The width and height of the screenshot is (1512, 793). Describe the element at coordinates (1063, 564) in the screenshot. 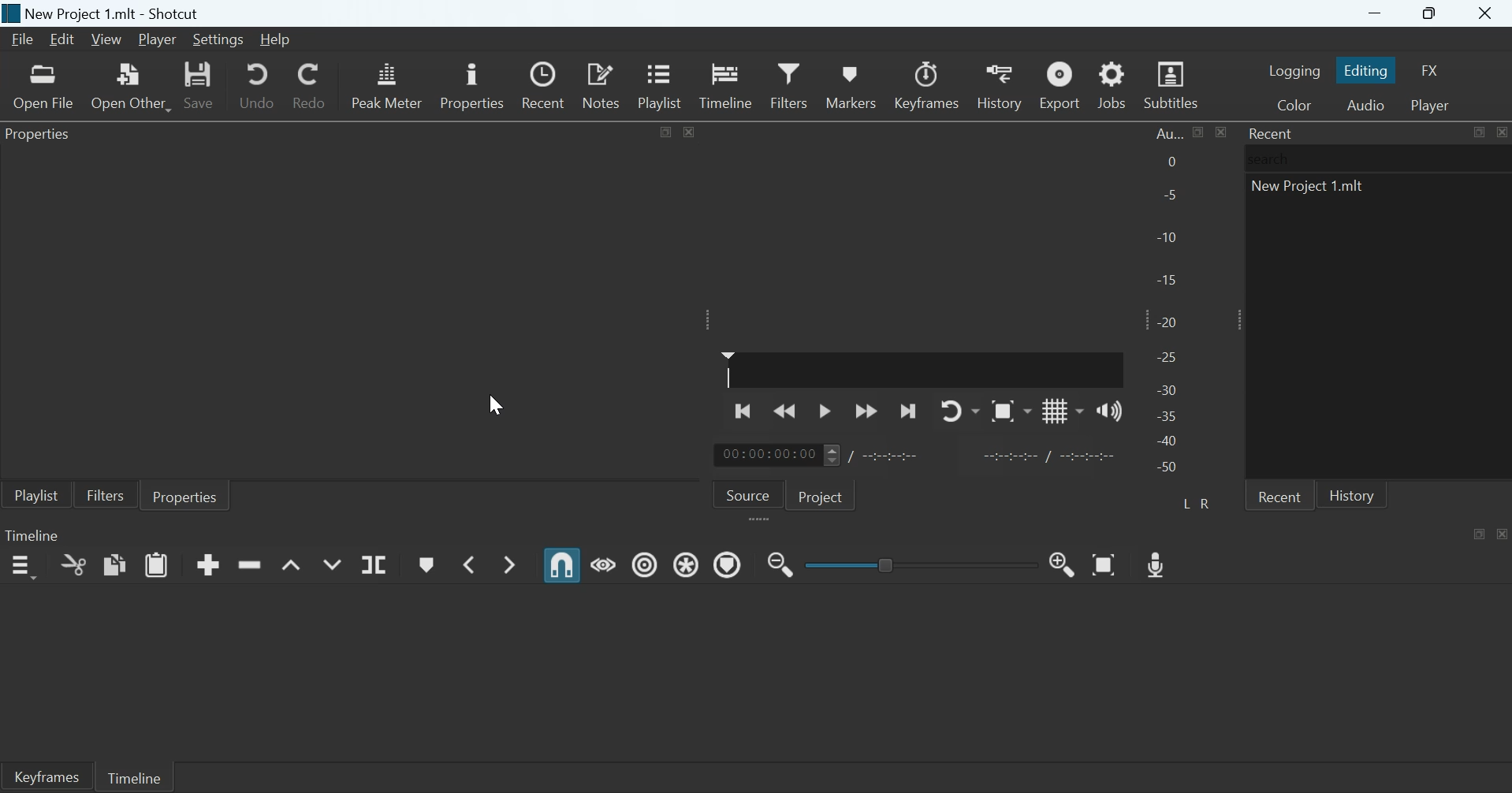

I see `Zoom timeline out` at that location.